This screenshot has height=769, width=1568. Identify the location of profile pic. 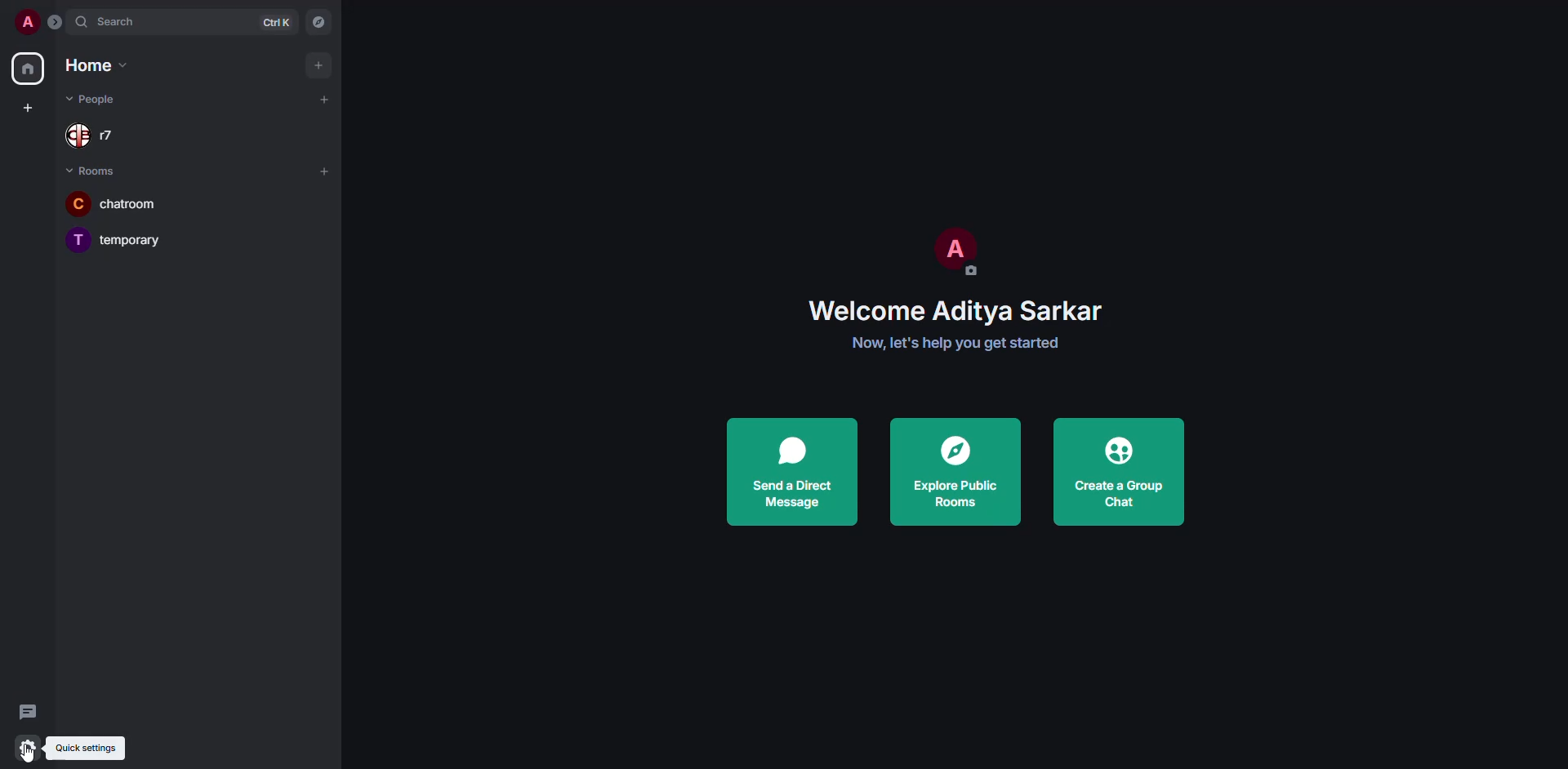
(953, 249).